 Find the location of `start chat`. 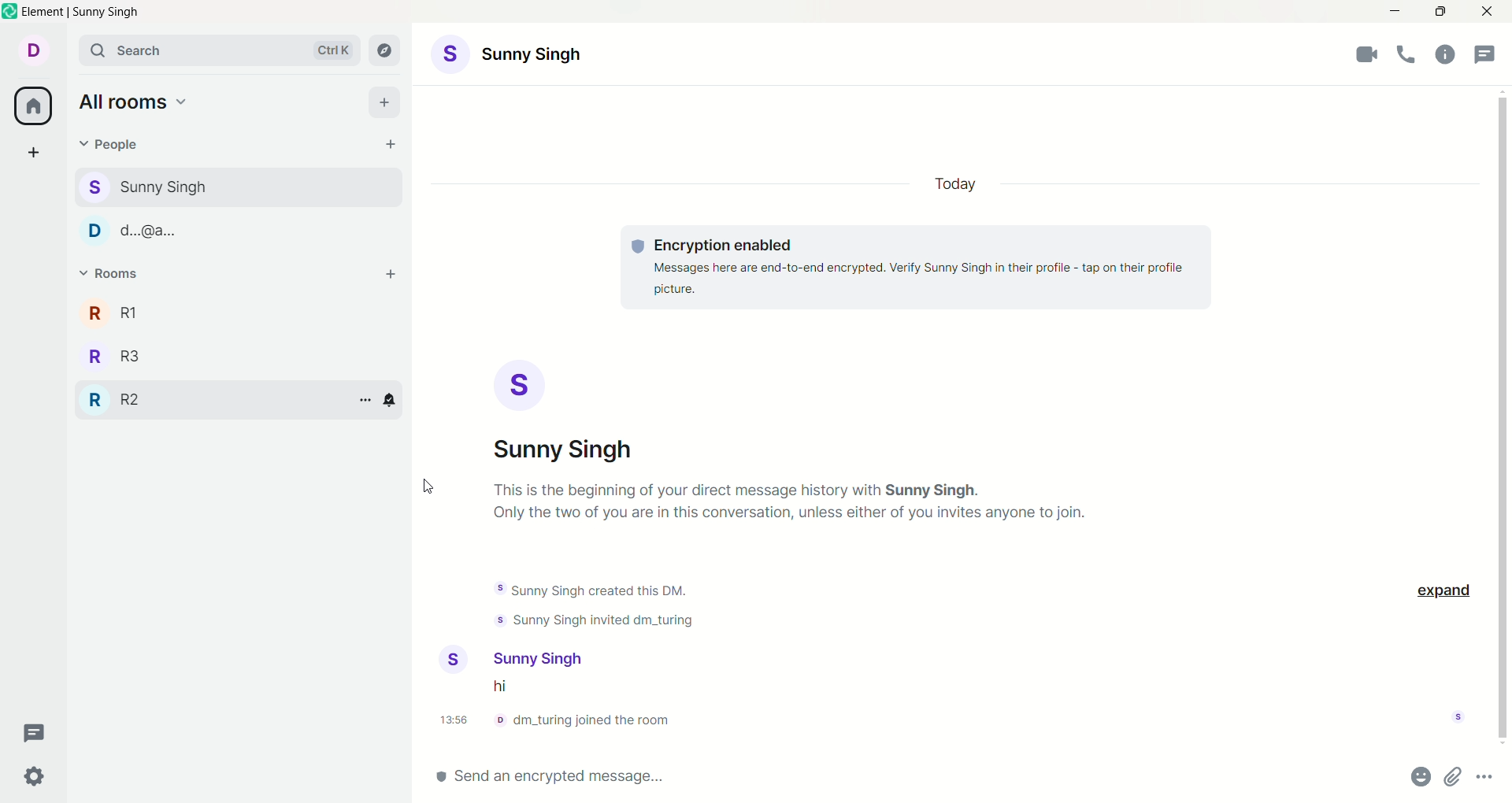

start chat is located at coordinates (387, 142).